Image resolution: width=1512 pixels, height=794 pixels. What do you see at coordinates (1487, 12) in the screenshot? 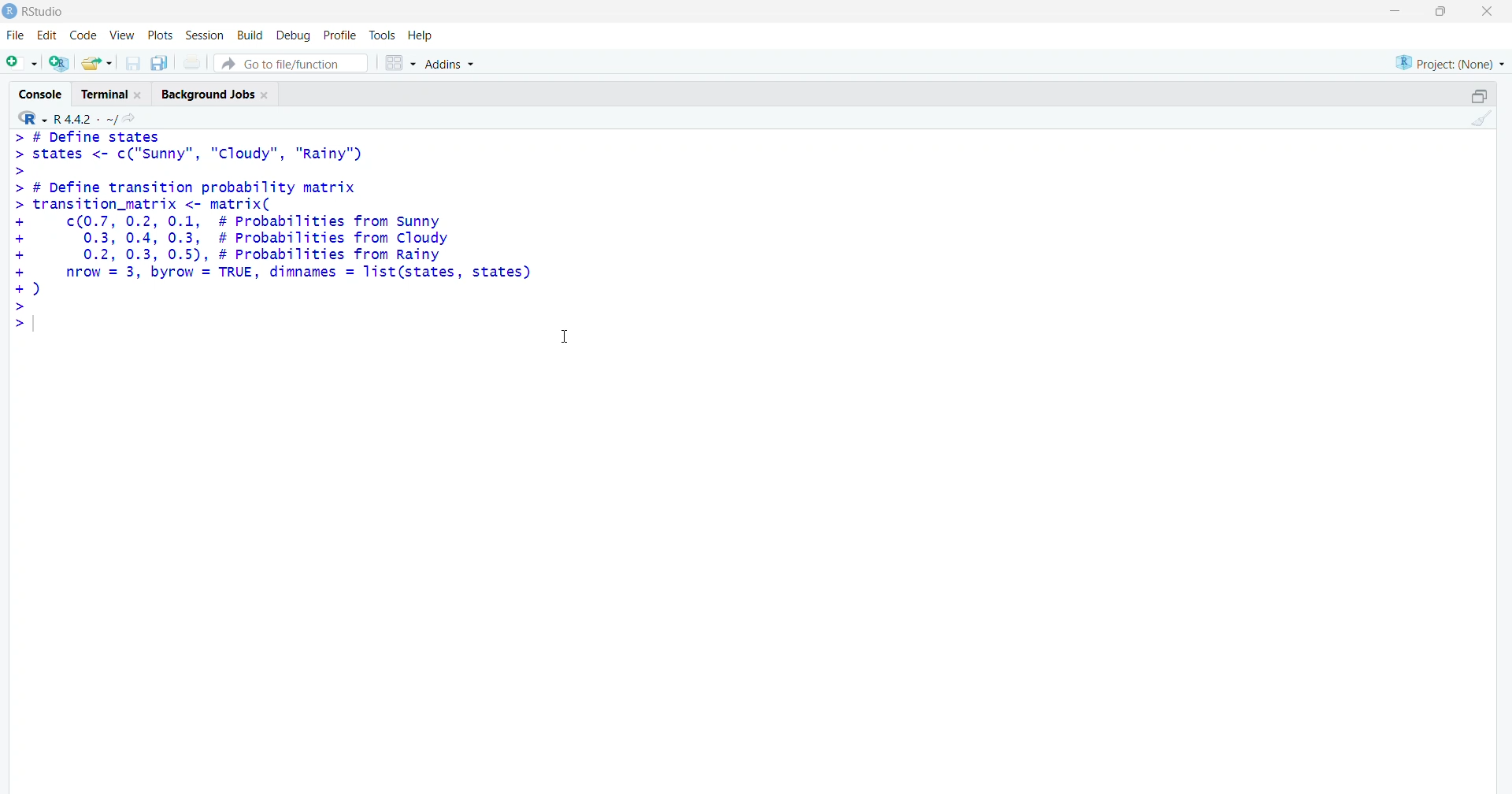
I see `close` at bounding box center [1487, 12].